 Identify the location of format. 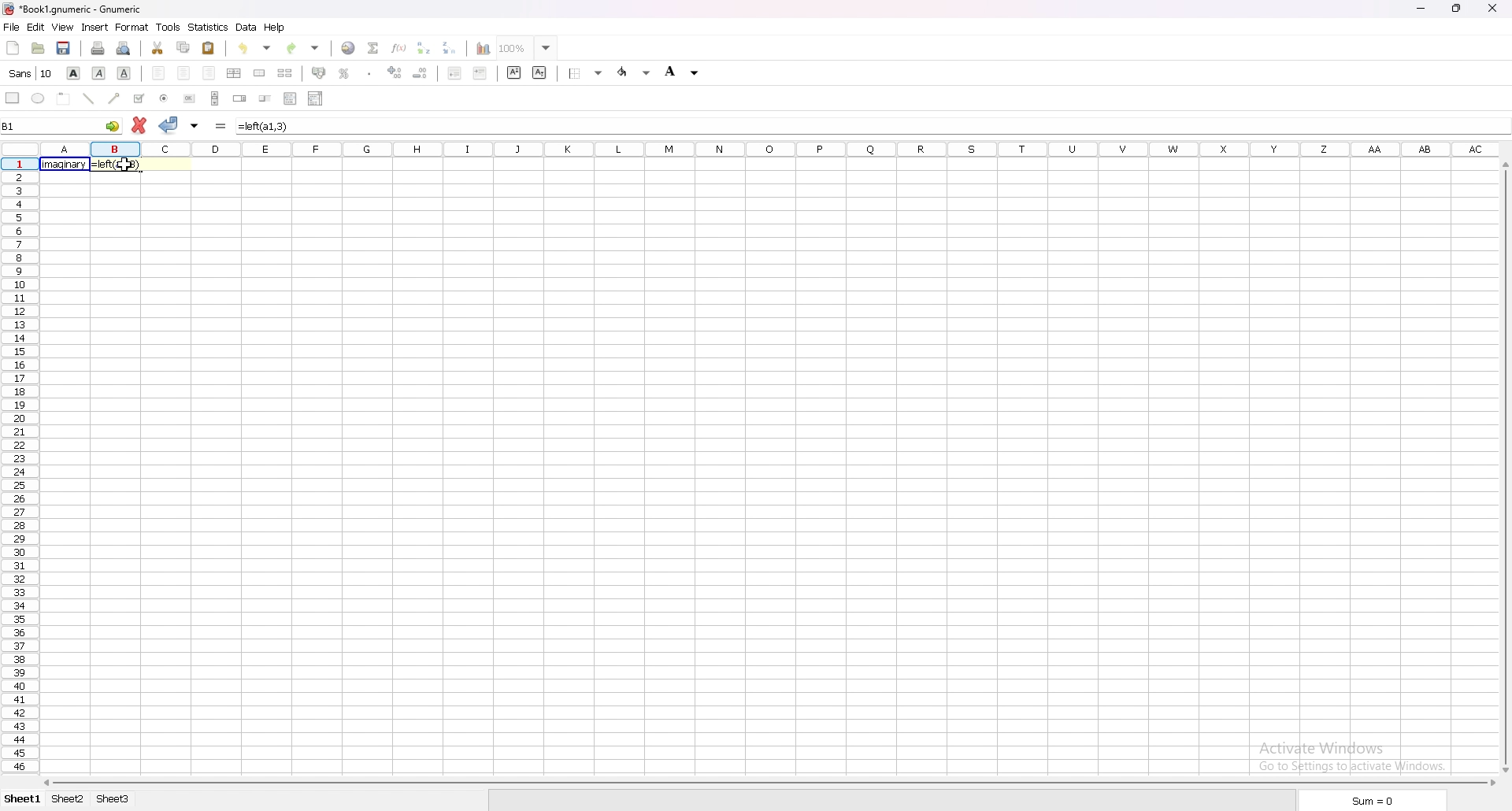
(132, 28).